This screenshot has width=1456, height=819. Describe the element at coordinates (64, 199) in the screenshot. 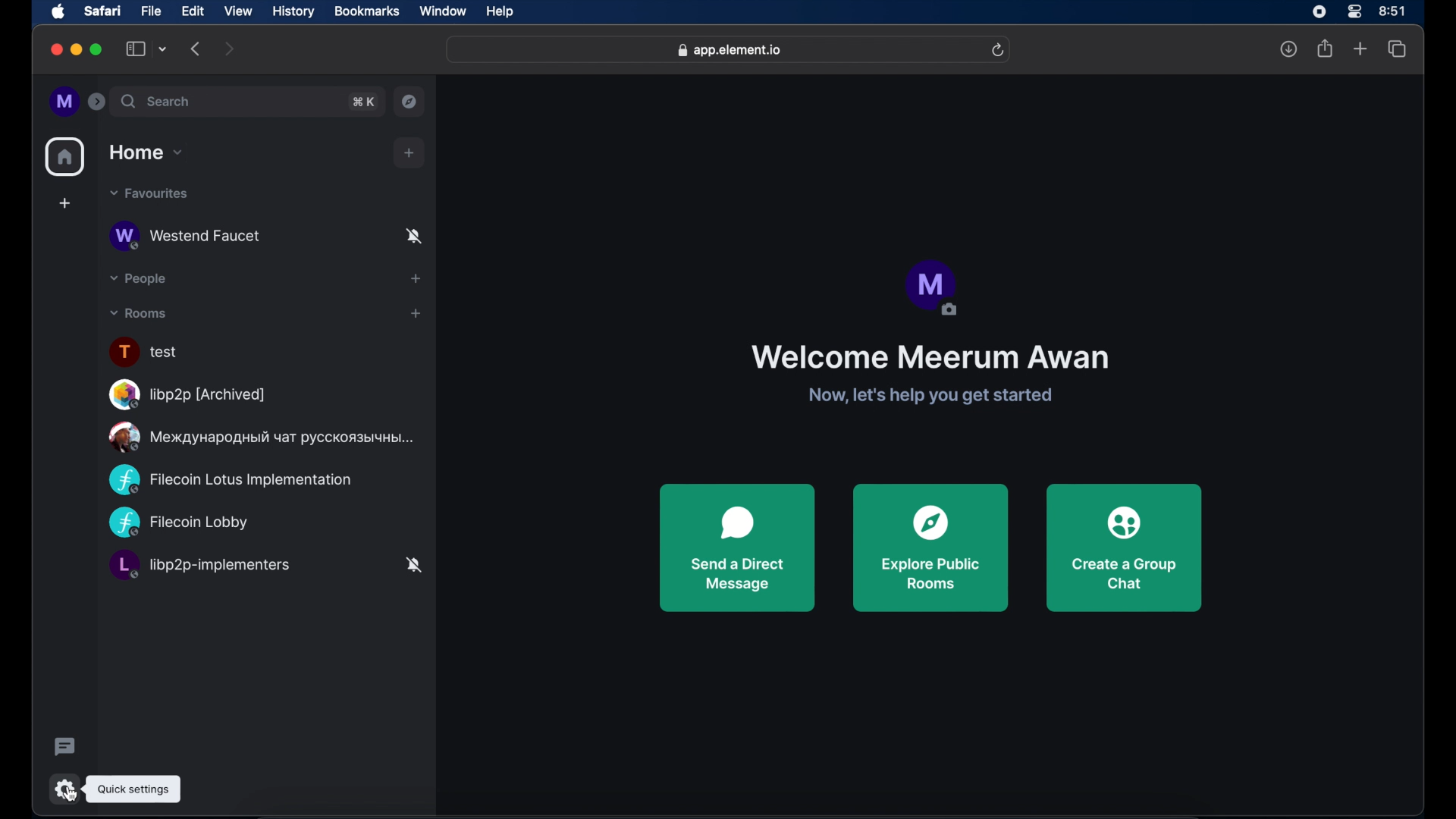

I see `add` at that location.